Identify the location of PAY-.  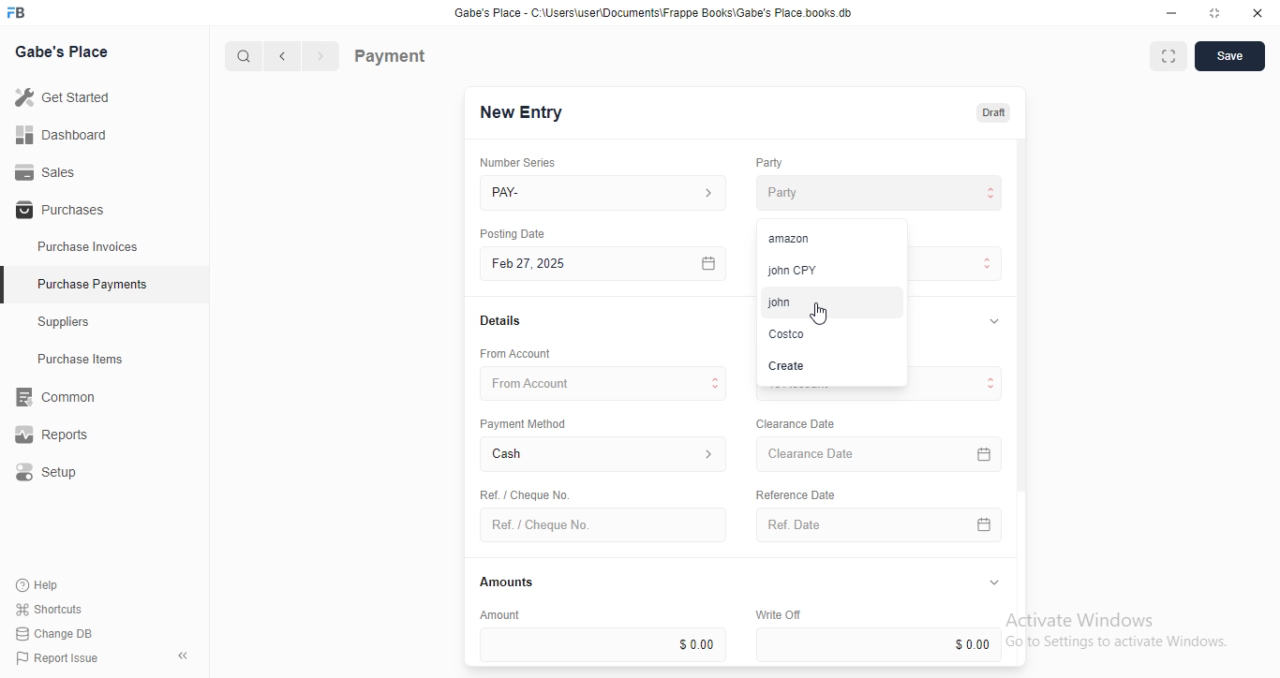
(605, 193).